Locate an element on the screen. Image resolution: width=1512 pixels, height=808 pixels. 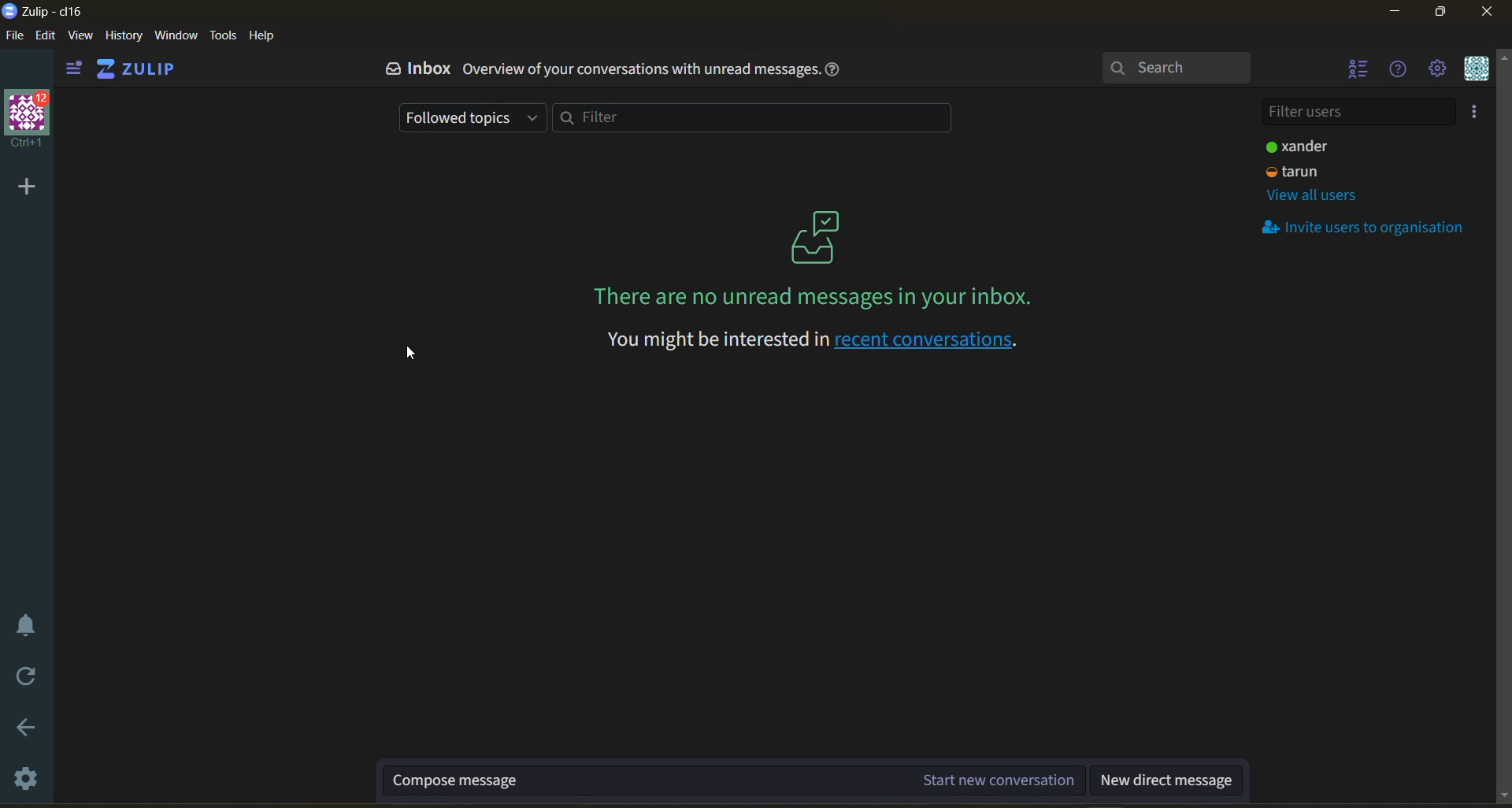
invite users to organisation is located at coordinates (1366, 230).